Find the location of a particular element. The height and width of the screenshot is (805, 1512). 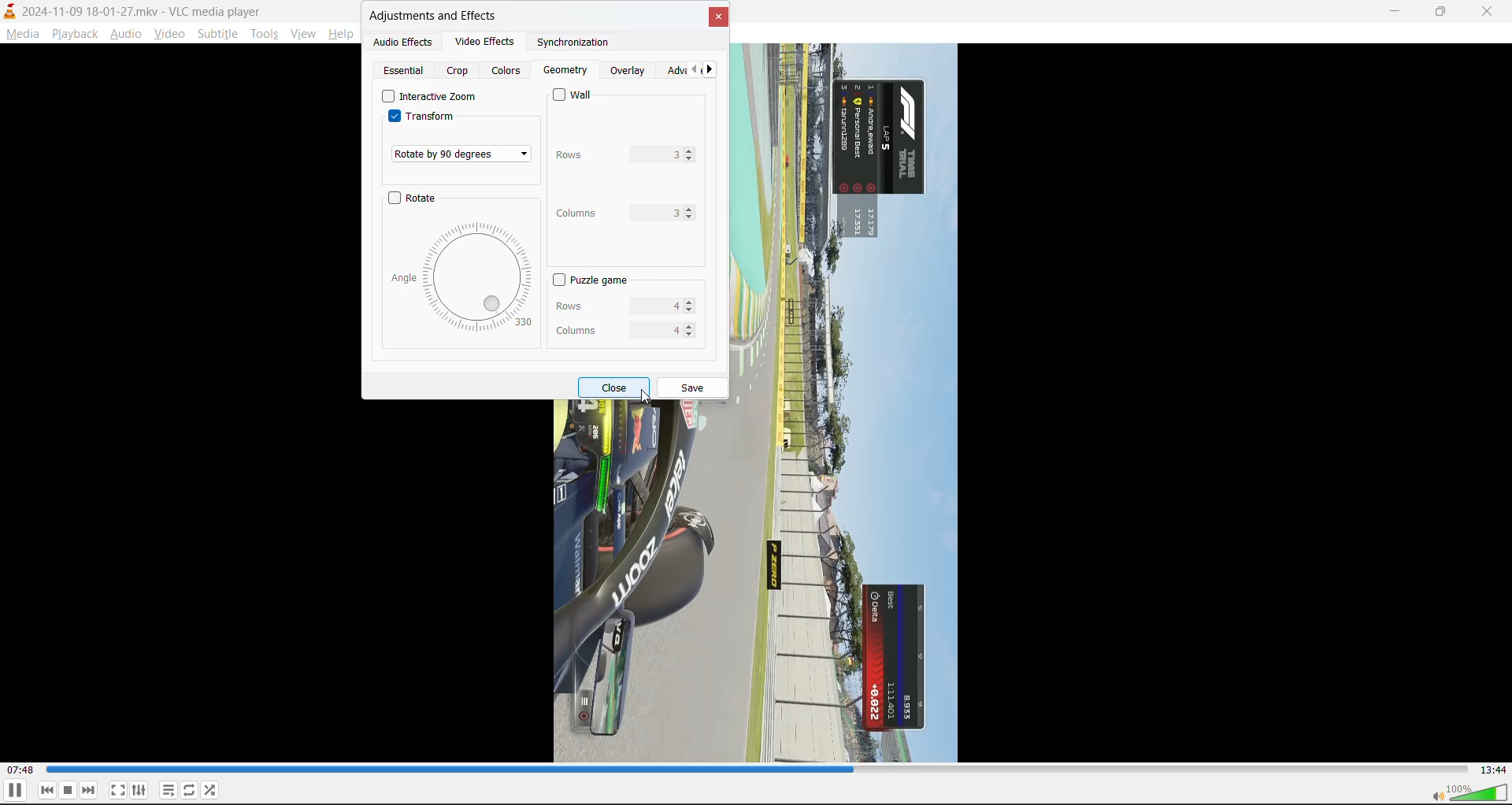

wall is located at coordinates (575, 97).